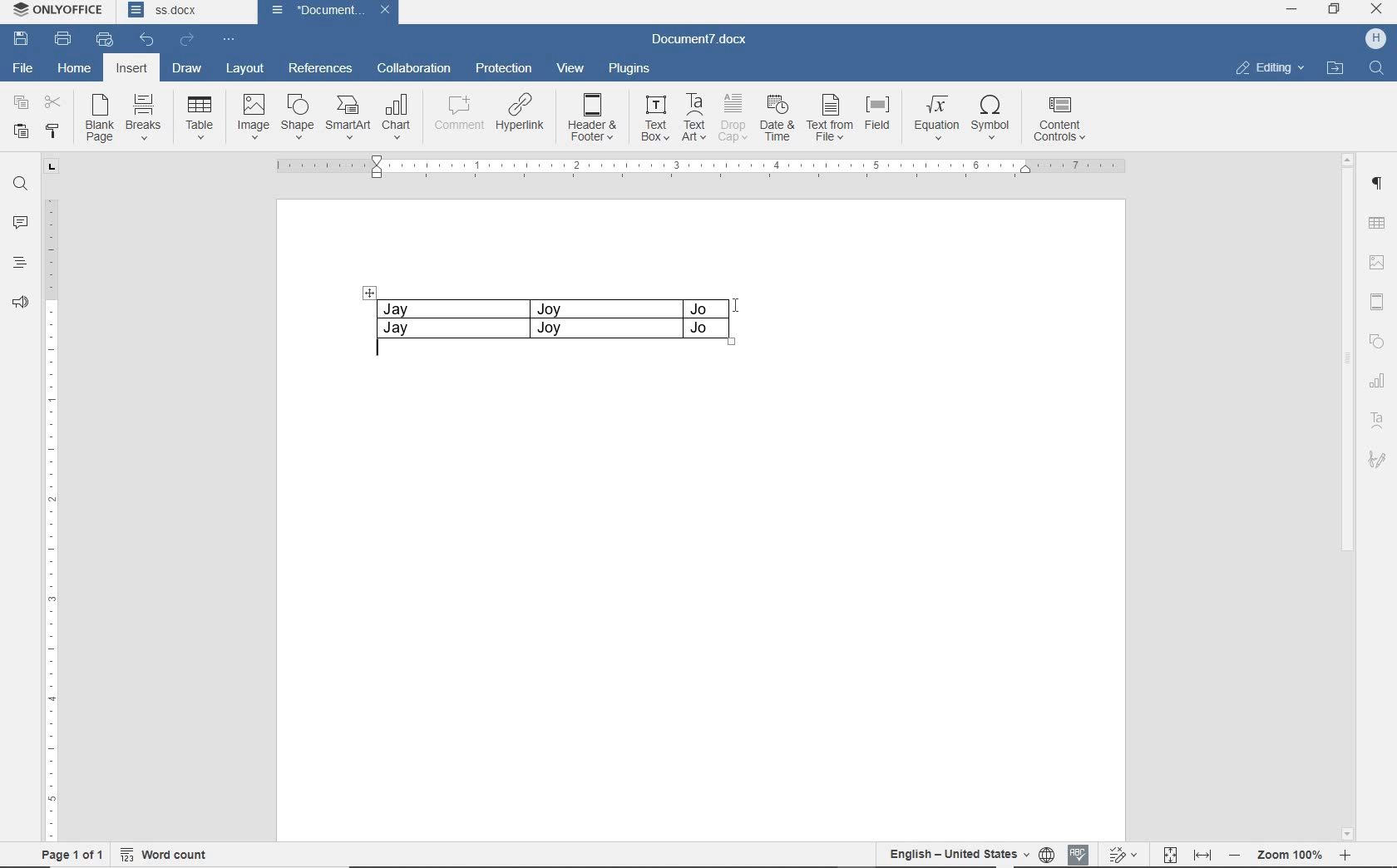 Image resolution: width=1397 pixels, height=868 pixels. I want to click on DOCUMENT NAME, so click(703, 42).